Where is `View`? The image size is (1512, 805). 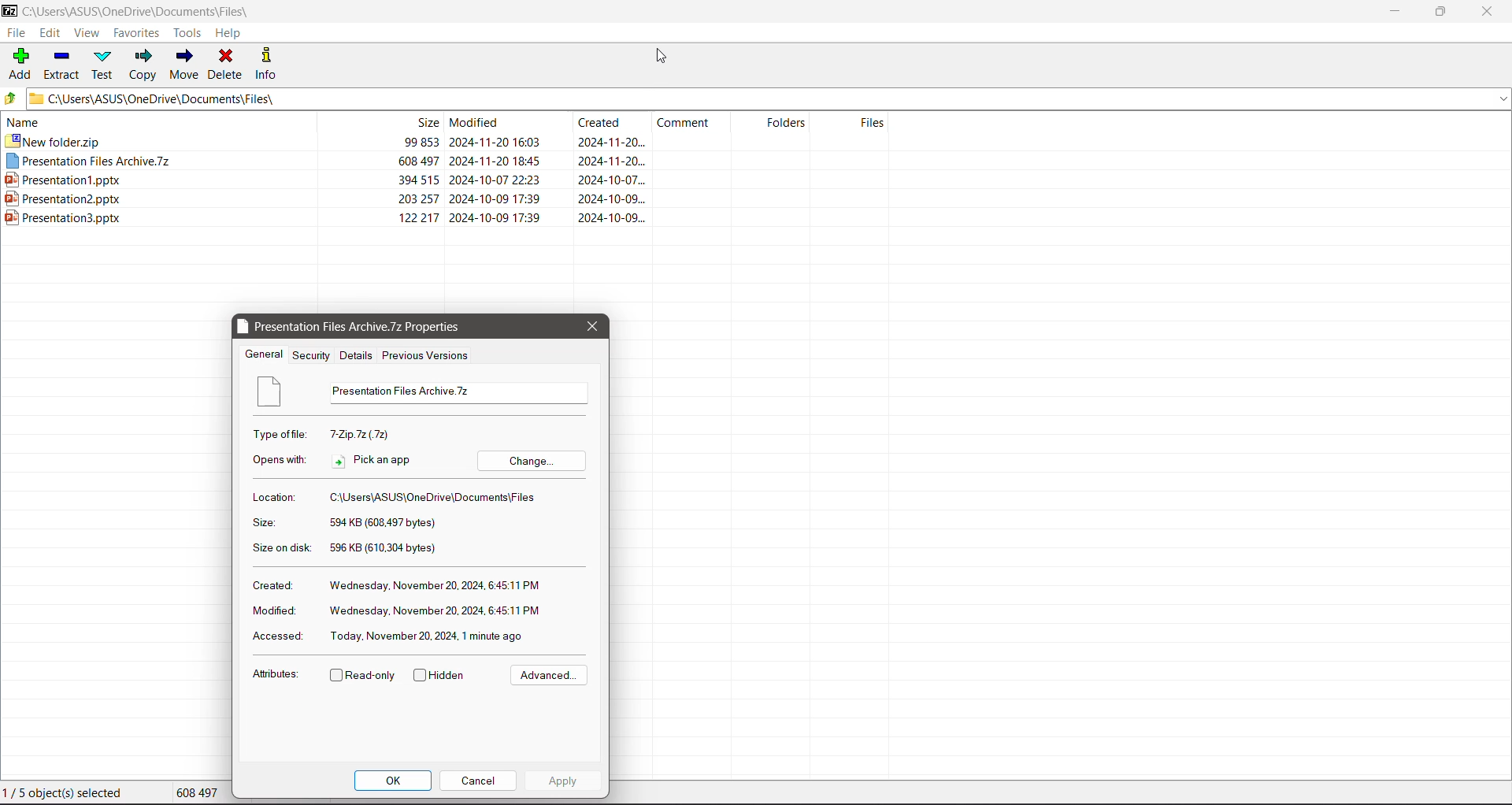
View is located at coordinates (86, 33).